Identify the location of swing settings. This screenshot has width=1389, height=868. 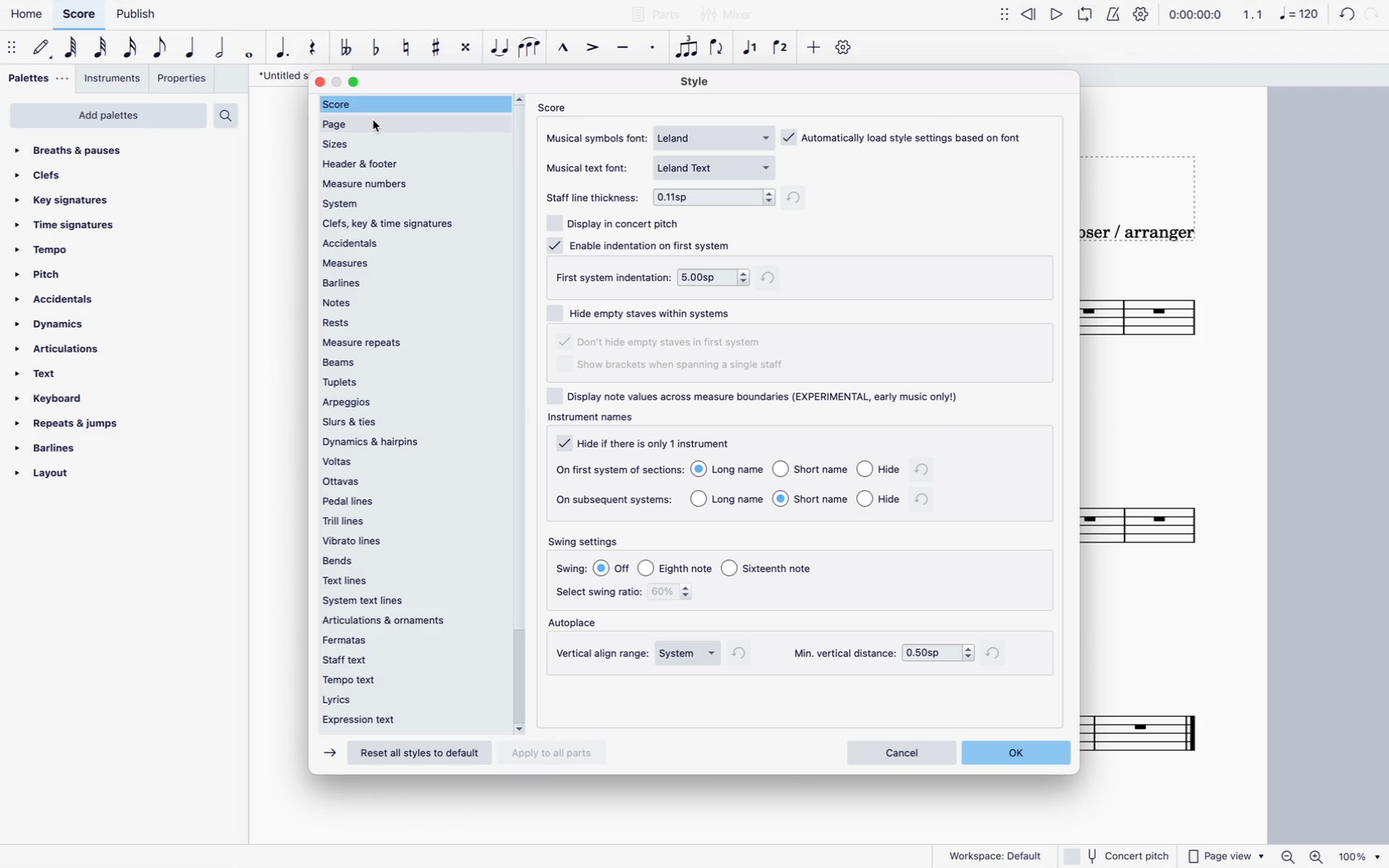
(585, 541).